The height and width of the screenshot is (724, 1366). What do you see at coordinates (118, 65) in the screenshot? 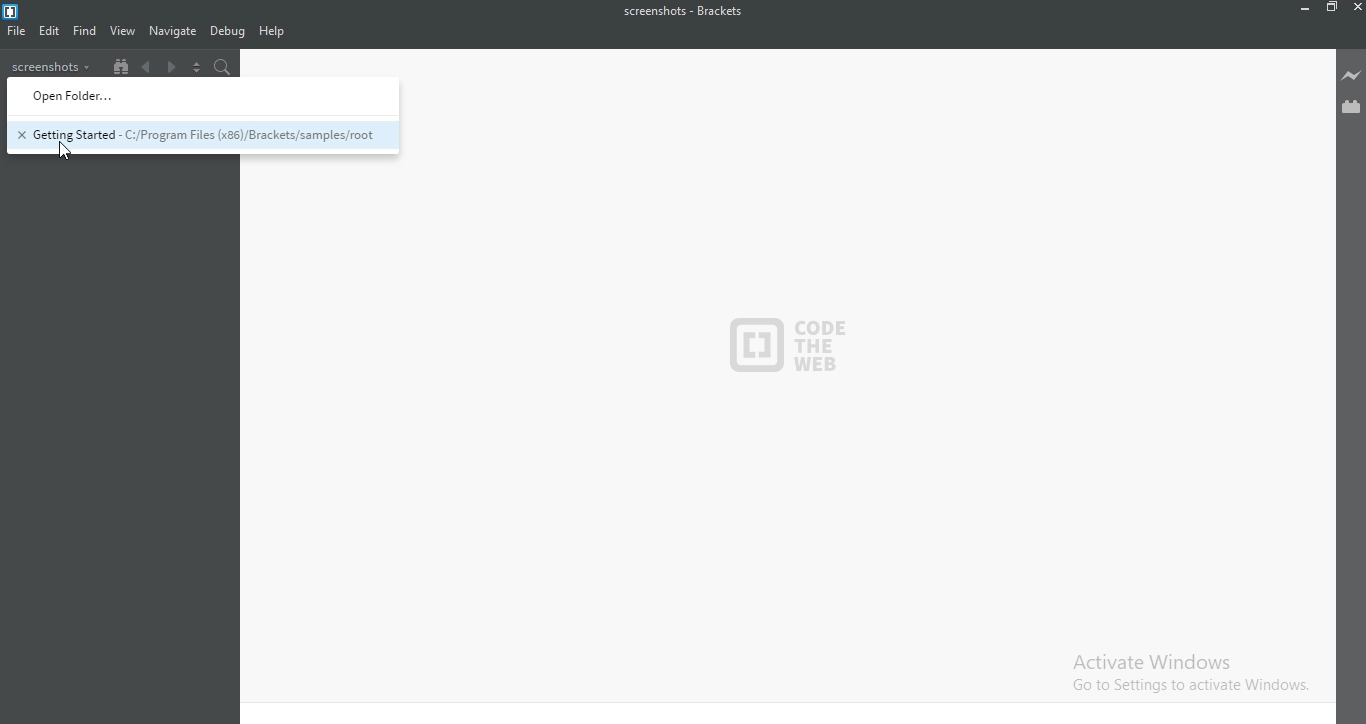
I see `Show file tree` at bounding box center [118, 65].